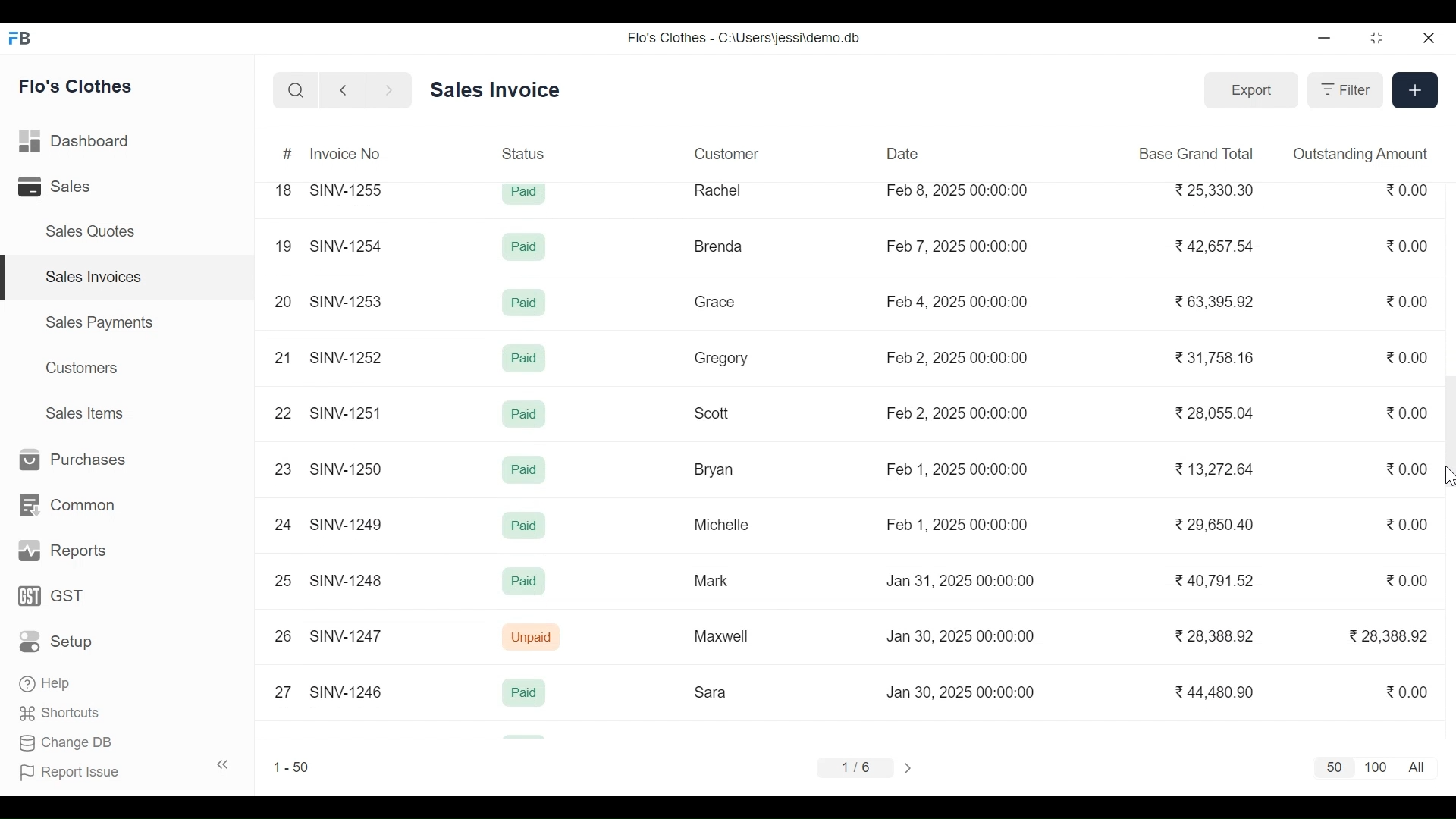 The width and height of the screenshot is (1456, 819). What do you see at coordinates (1217, 245) in the screenshot?
I see `42,657.54` at bounding box center [1217, 245].